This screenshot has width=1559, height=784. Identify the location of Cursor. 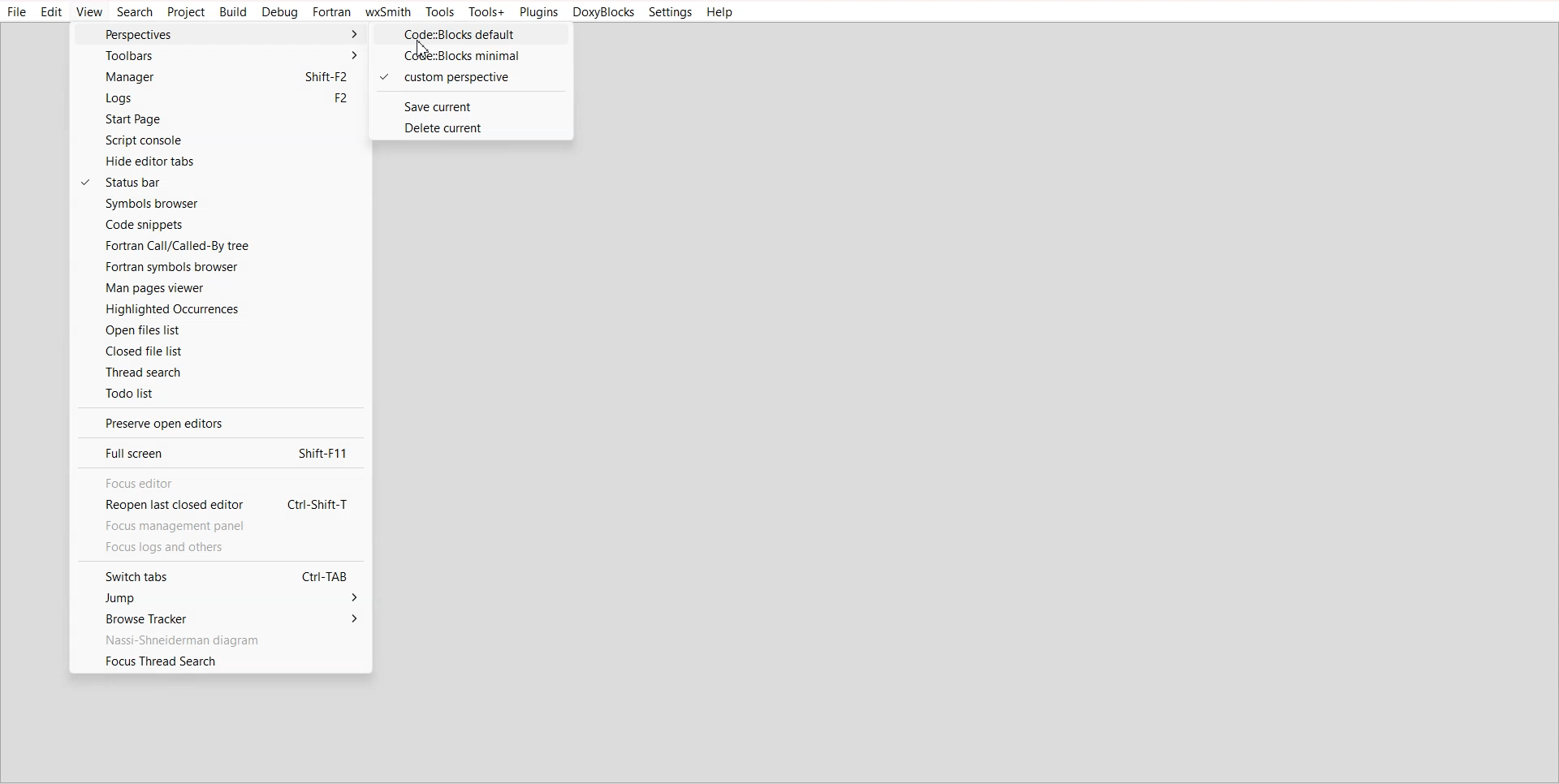
(424, 49).